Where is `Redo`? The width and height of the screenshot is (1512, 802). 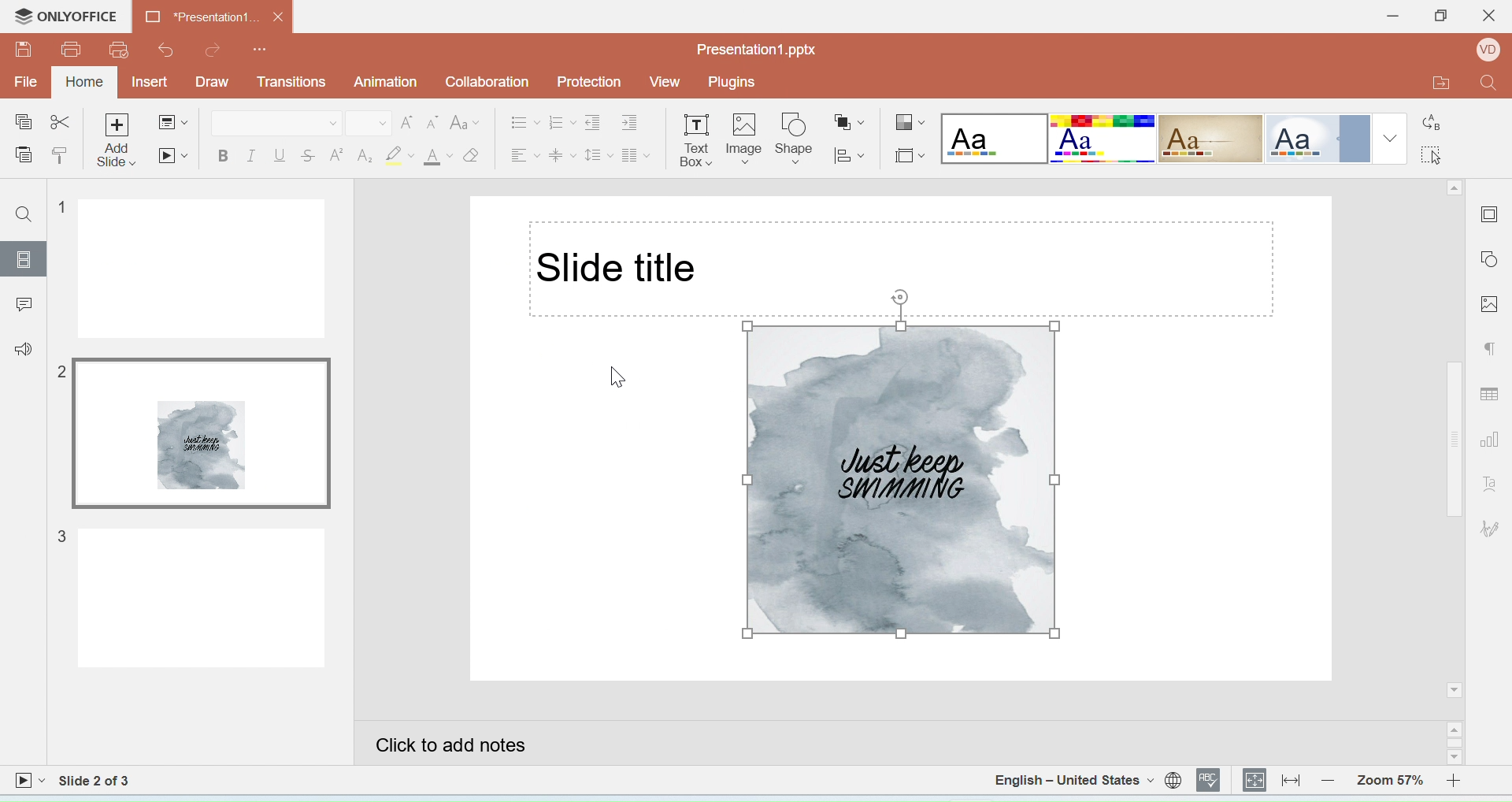
Redo is located at coordinates (214, 50).